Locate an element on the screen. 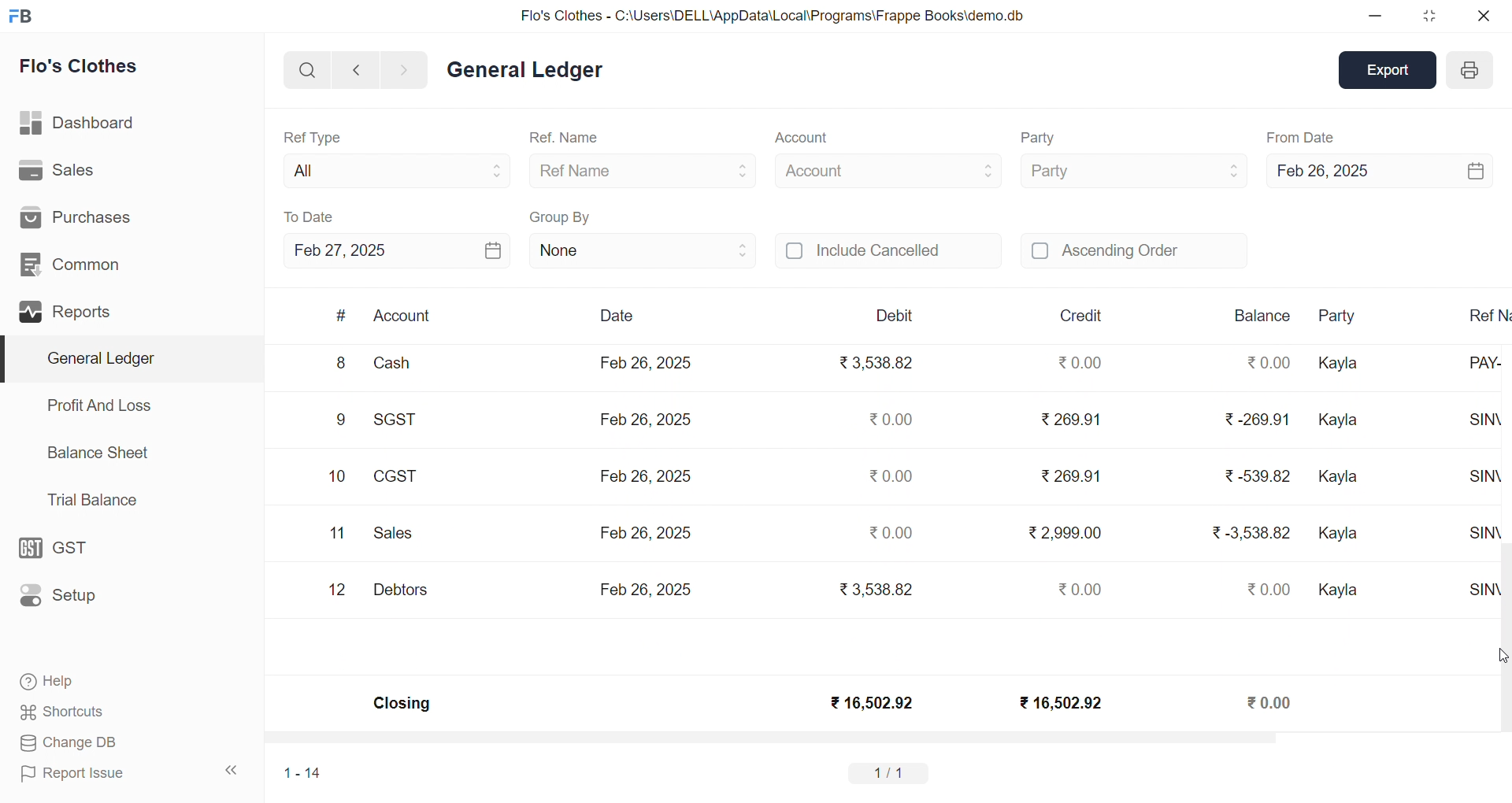  ₹269.91 is located at coordinates (1073, 420).